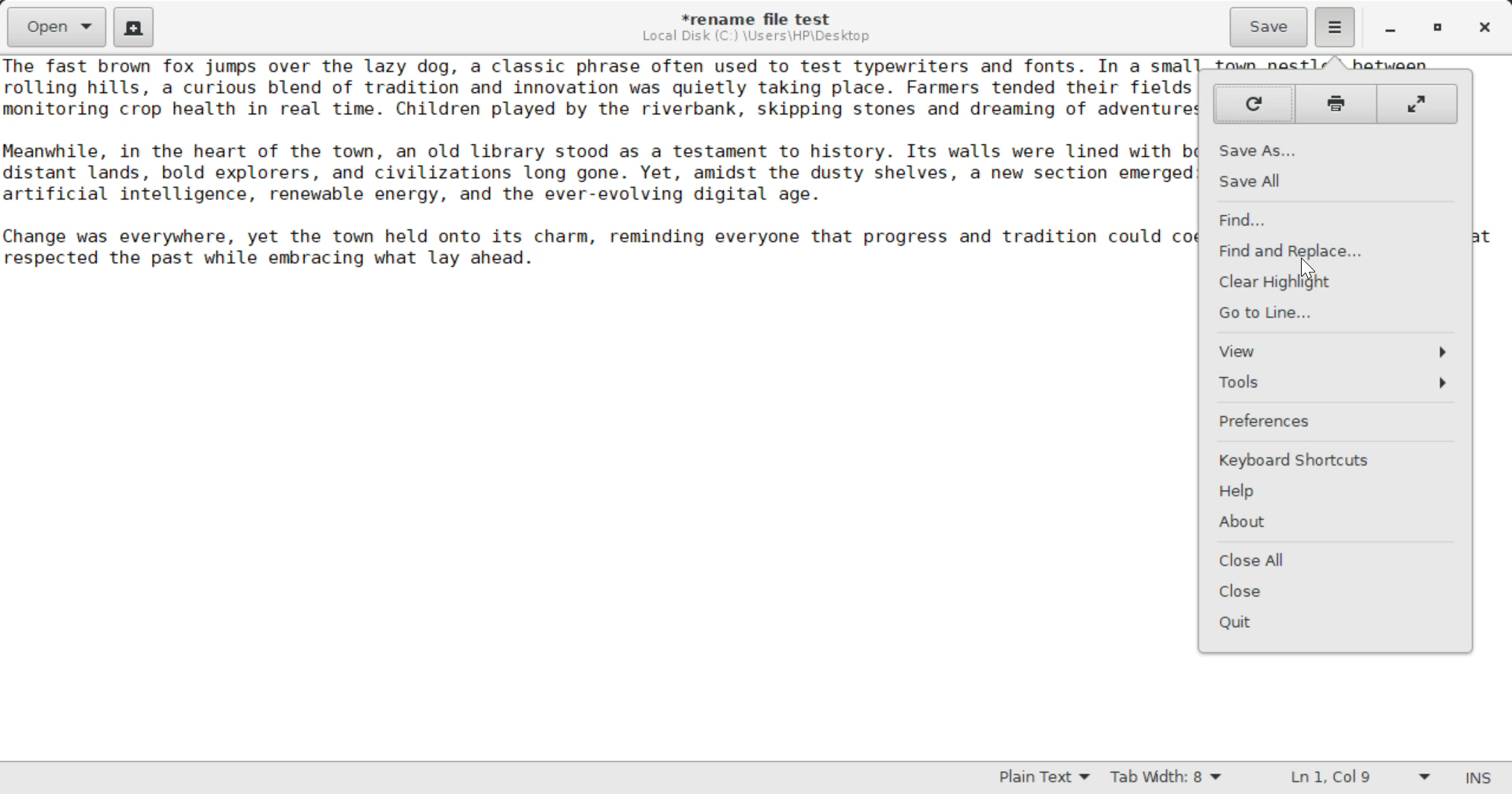 This screenshot has width=1512, height=794. Describe the element at coordinates (1166, 779) in the screenshot. I see `Tab Width 8` at that location.